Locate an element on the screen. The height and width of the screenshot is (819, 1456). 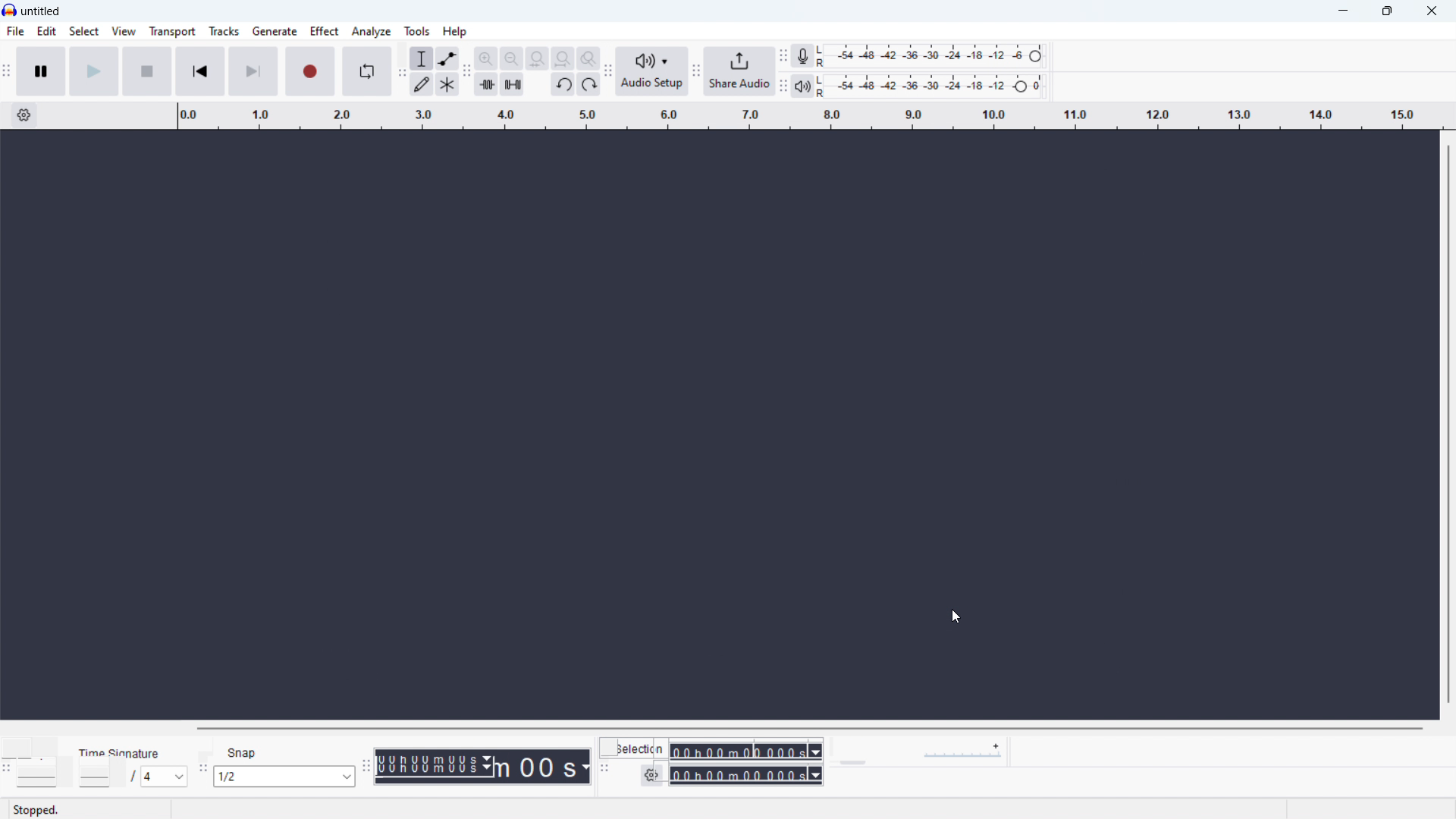
share audio toolbar is located at coordinates (696, 72).